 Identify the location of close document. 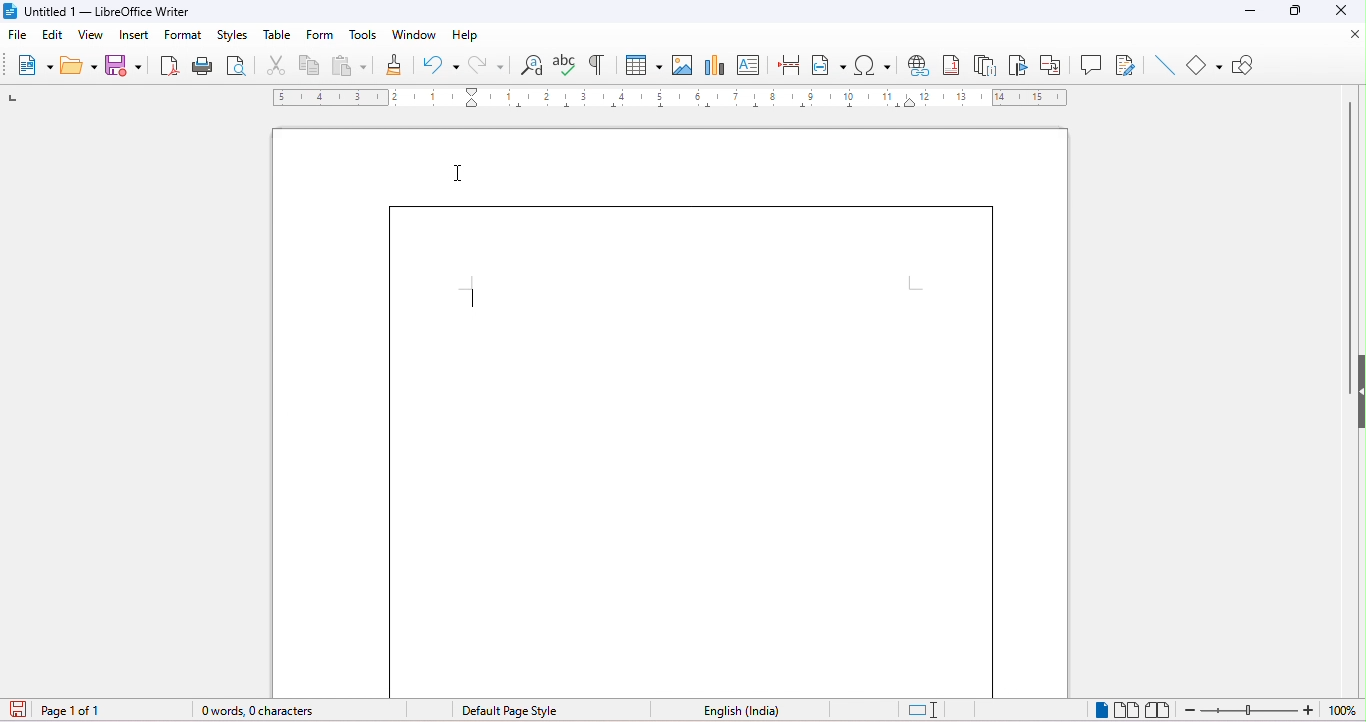
(1344, 34).